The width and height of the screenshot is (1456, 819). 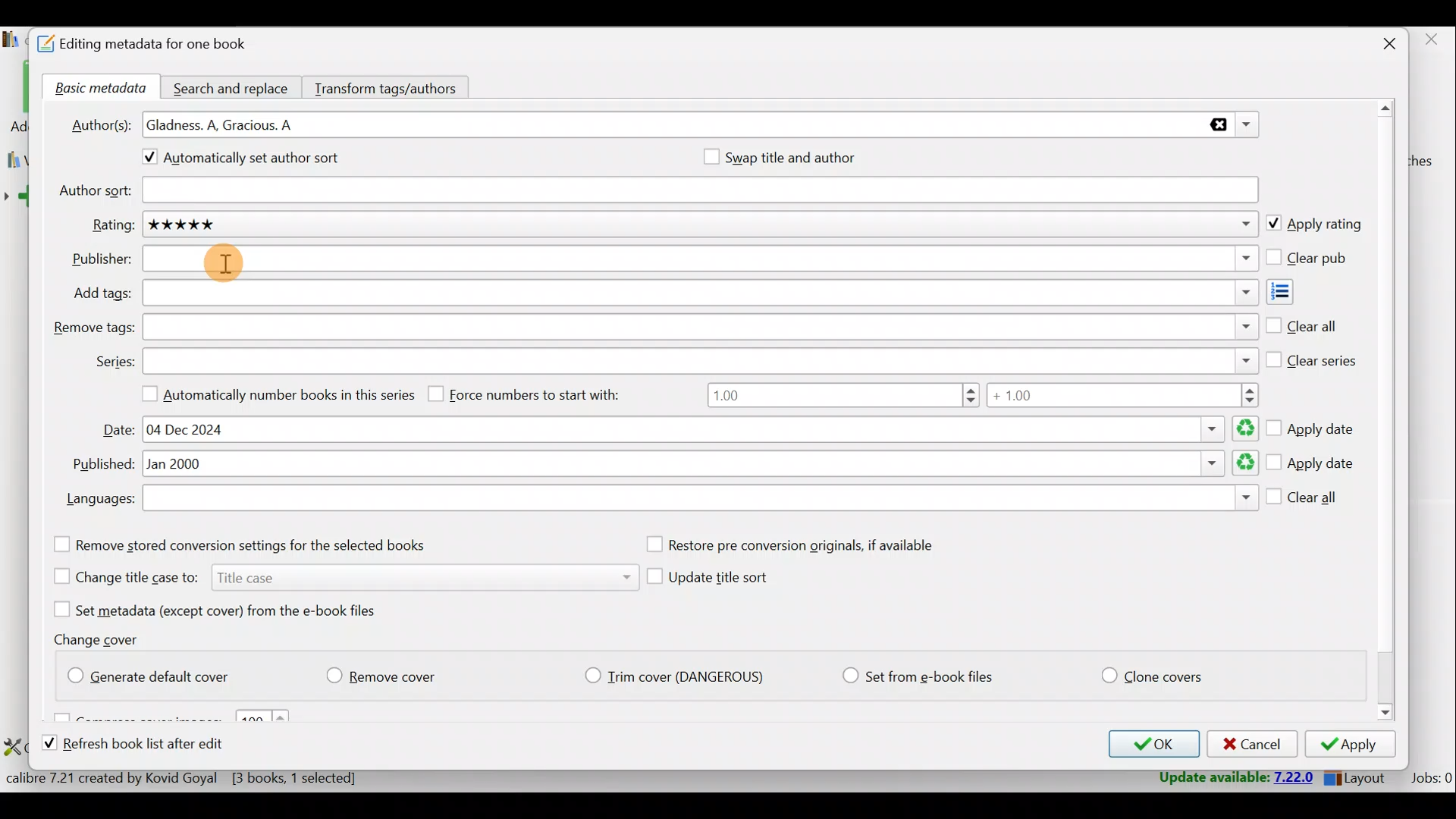 What do you see at coordinates (224, 265) in the screenshot?
I see `Cursor` at bounding box center [224, 265].